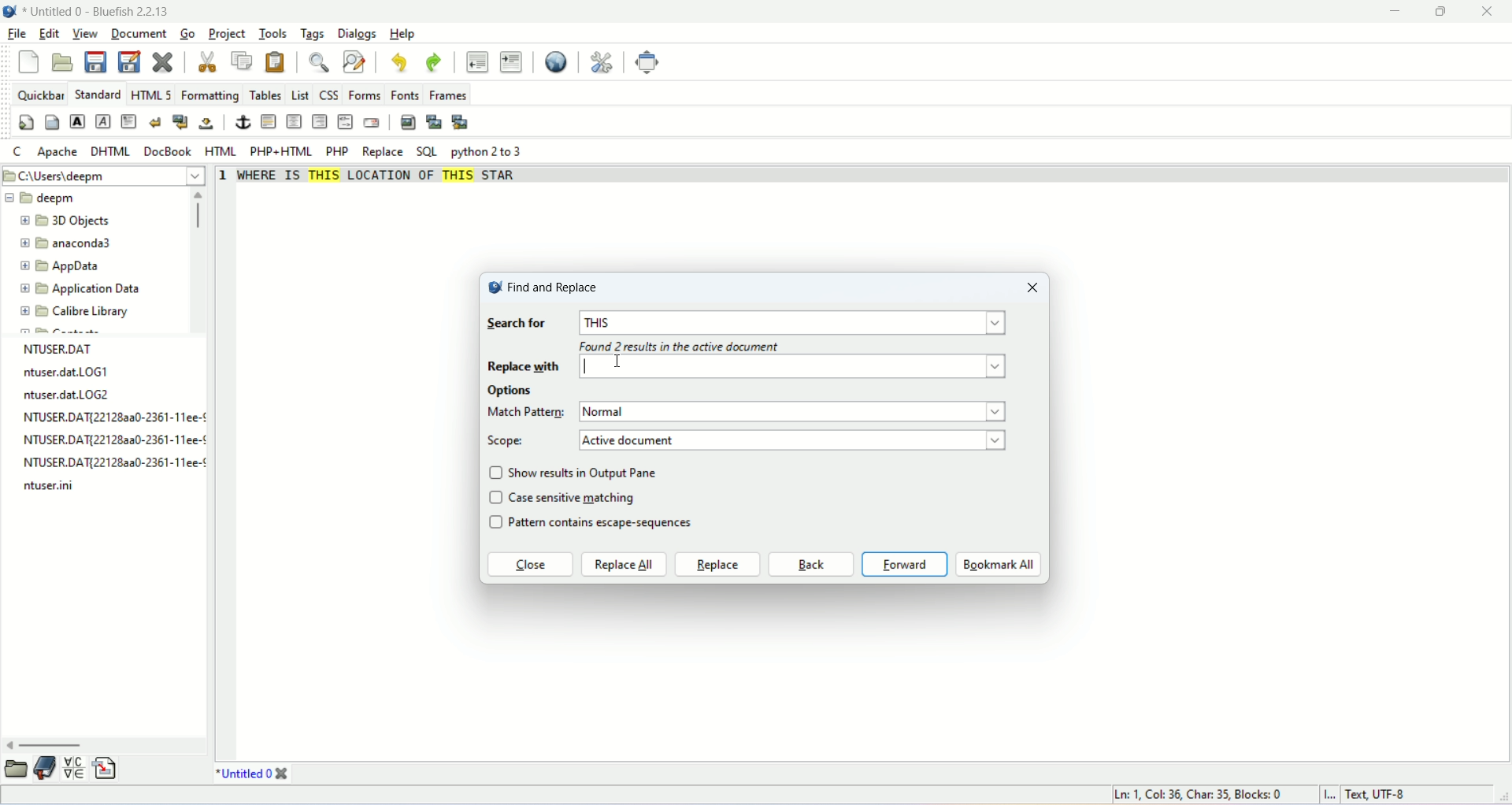  I want to click on Match pattern, so click(527, 412).